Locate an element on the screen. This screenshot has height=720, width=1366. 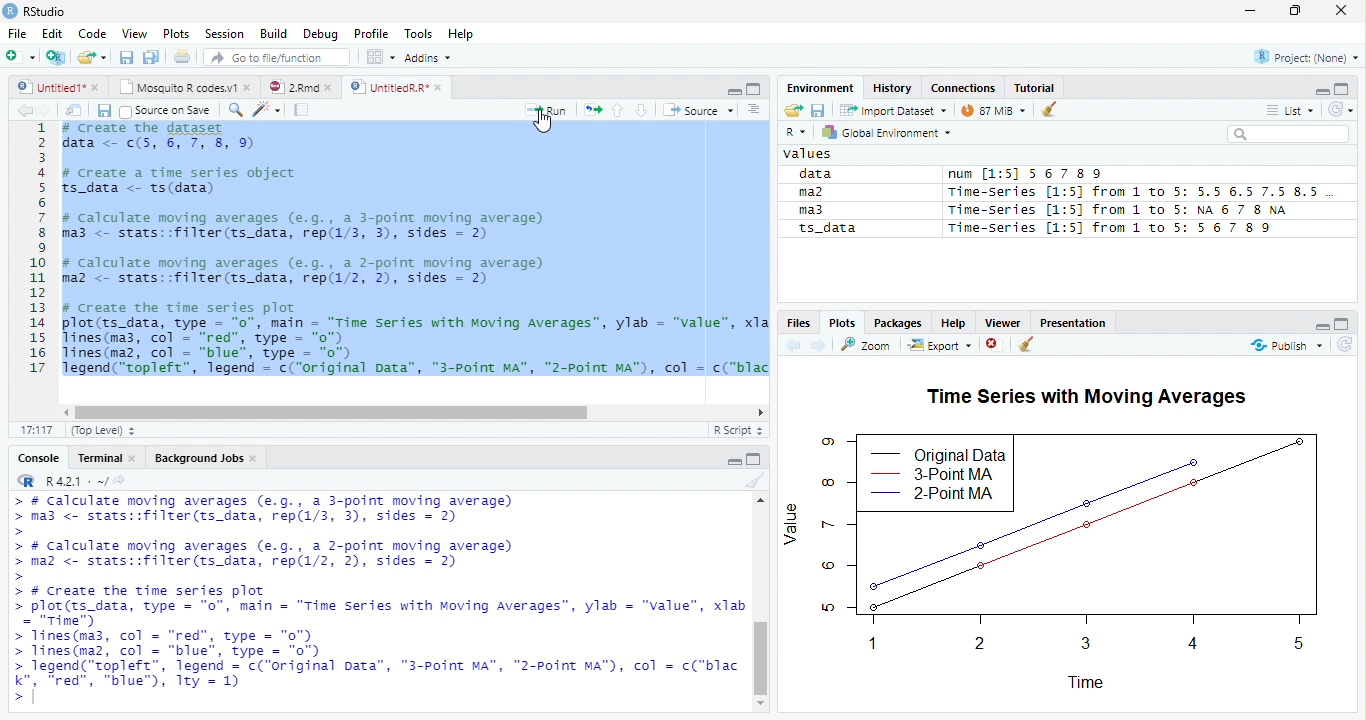
values is located at coordinates (810, 153).